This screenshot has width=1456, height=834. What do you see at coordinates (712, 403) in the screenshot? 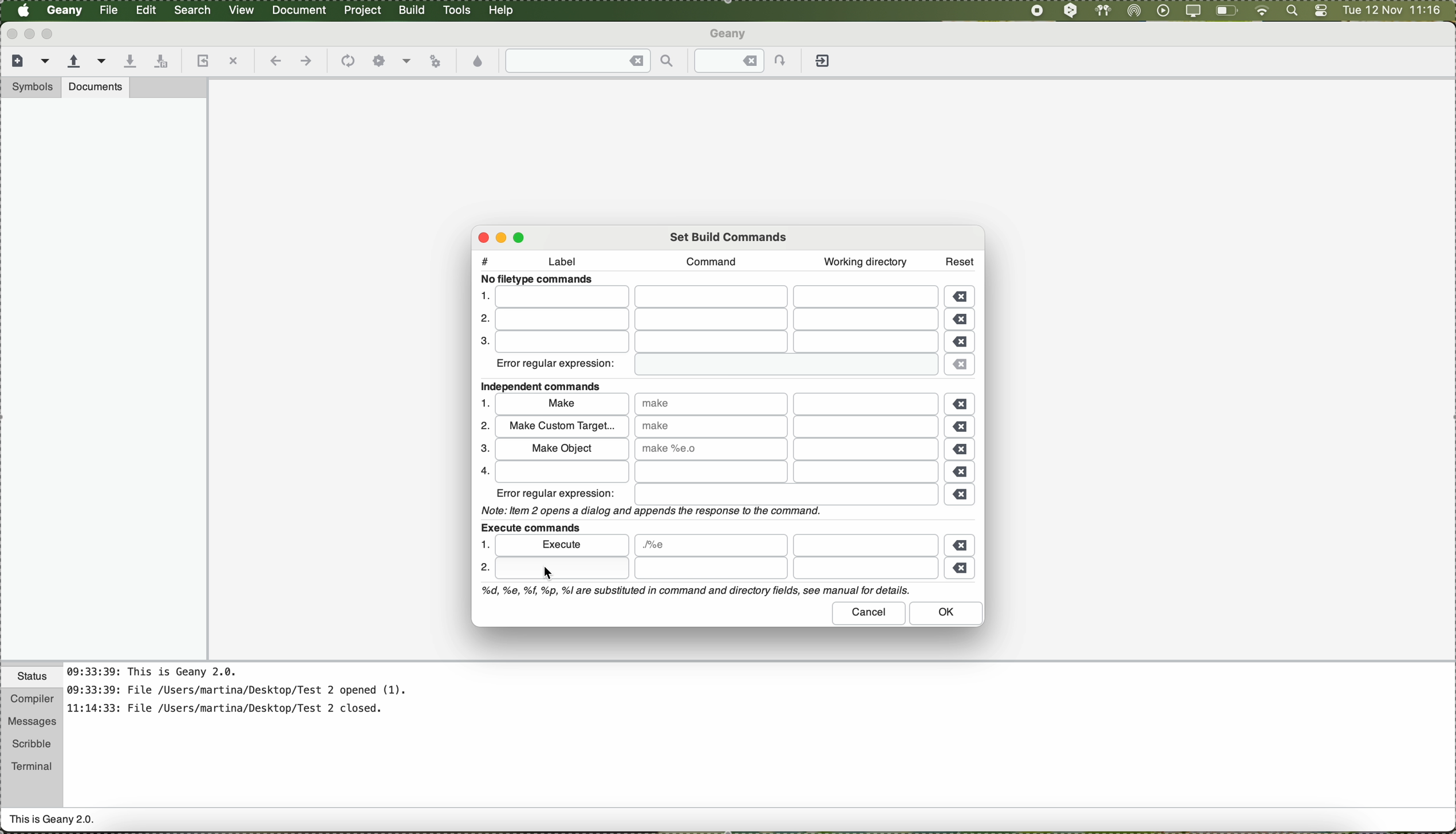
I see `make` at bounding box center [712, 403].